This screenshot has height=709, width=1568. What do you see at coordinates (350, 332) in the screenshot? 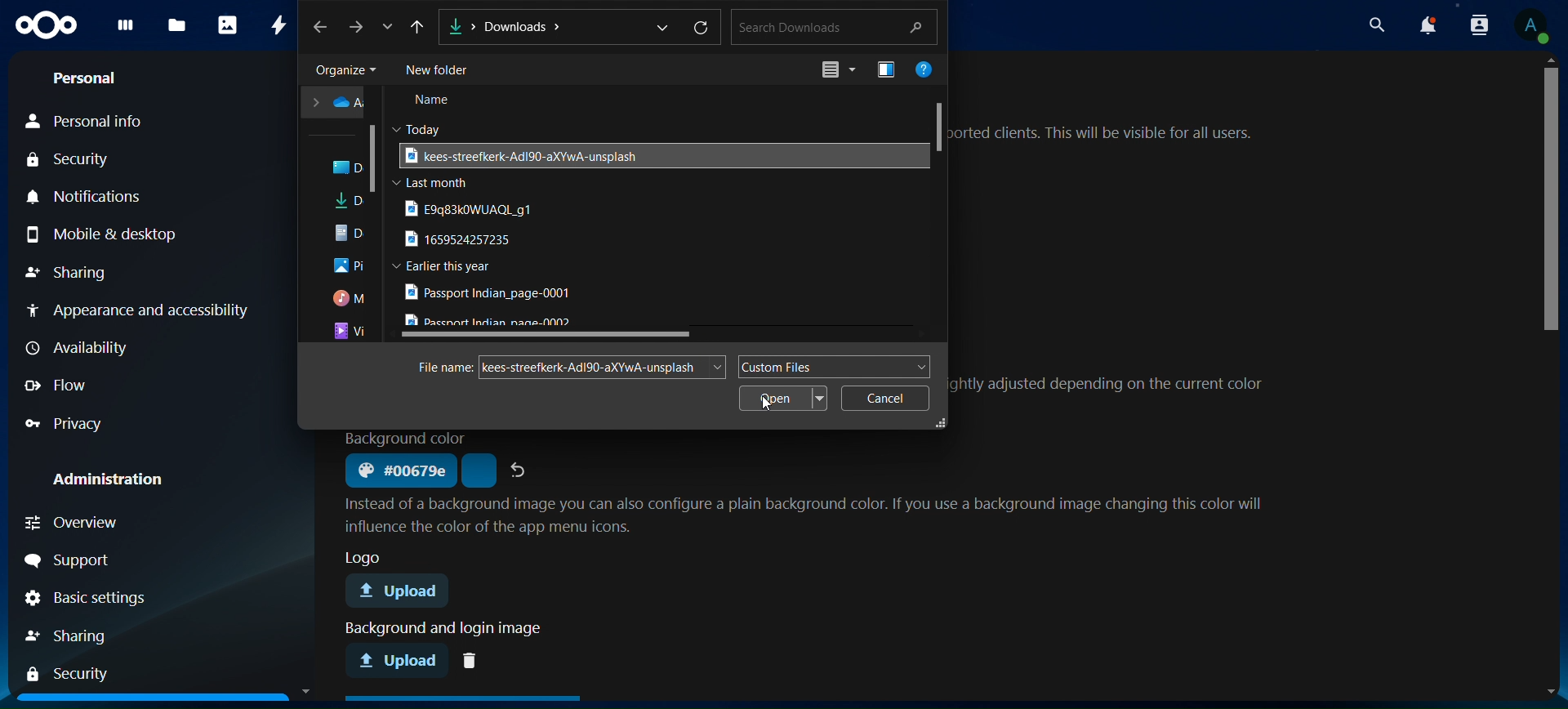
I see `videos` at bounding box center [350, 332].